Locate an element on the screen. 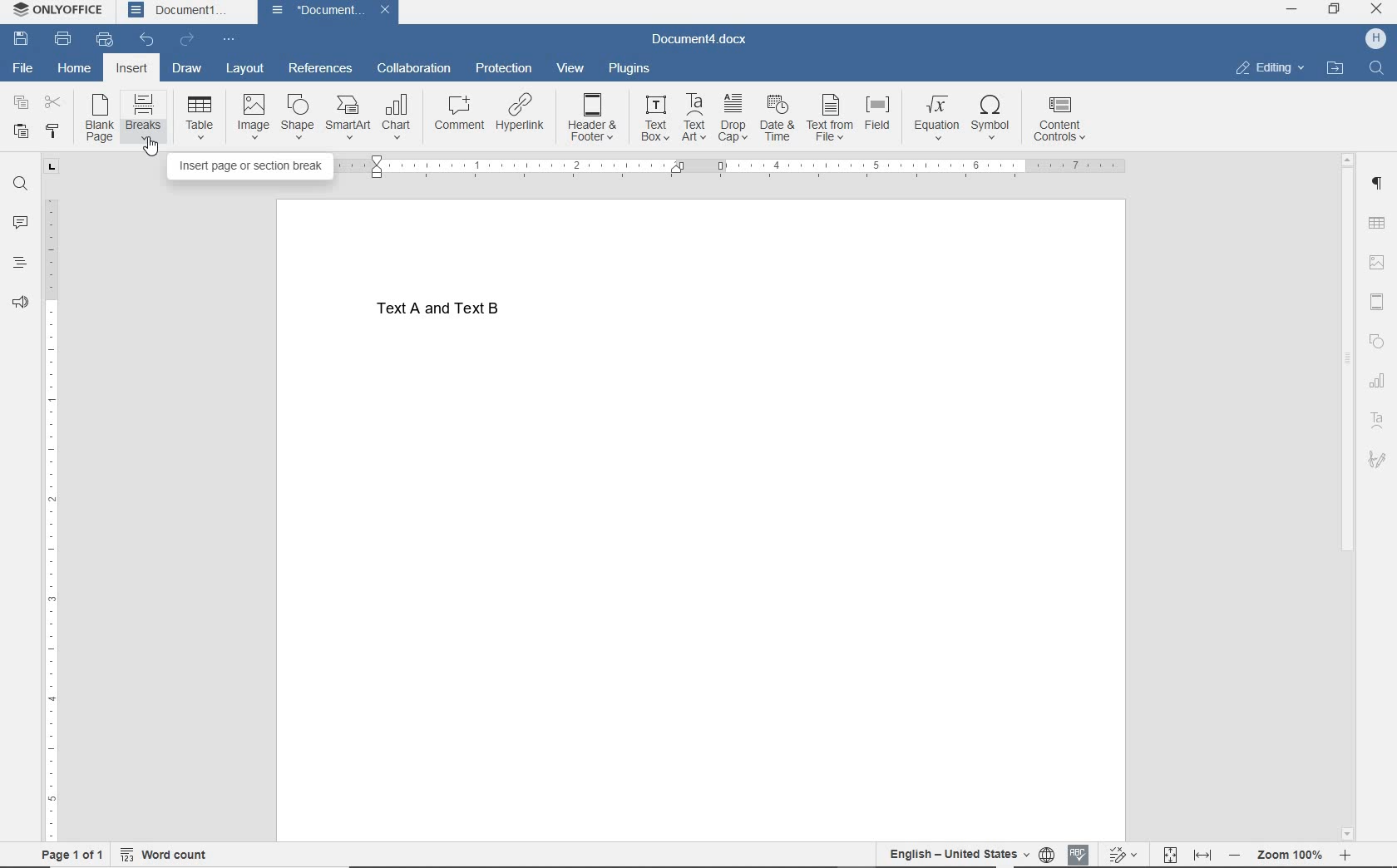 The image size is (1397, 868). TEXT LANGUAGE is located at coordinates (957, 853).